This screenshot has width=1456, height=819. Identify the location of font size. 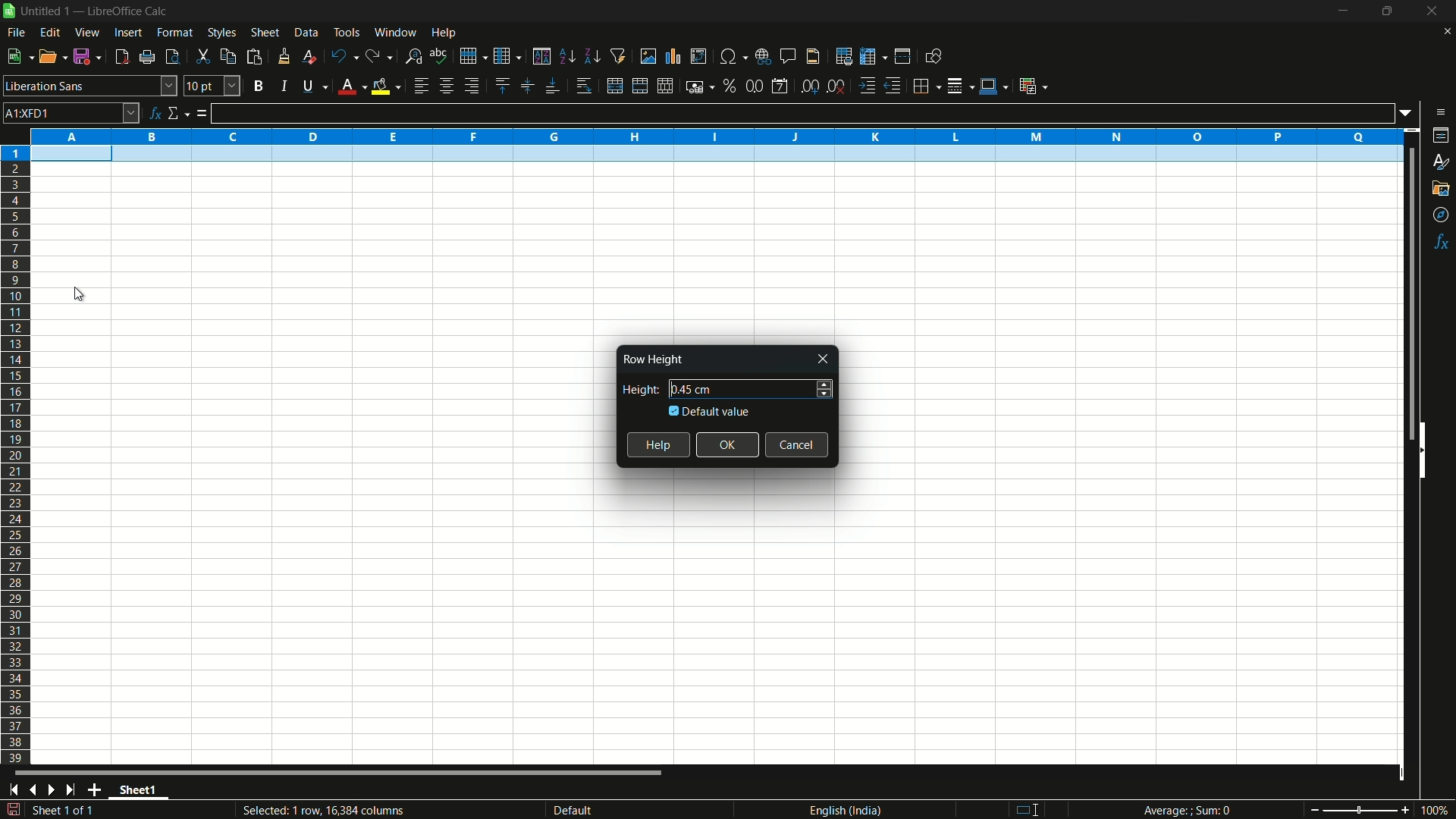
(212, 86).